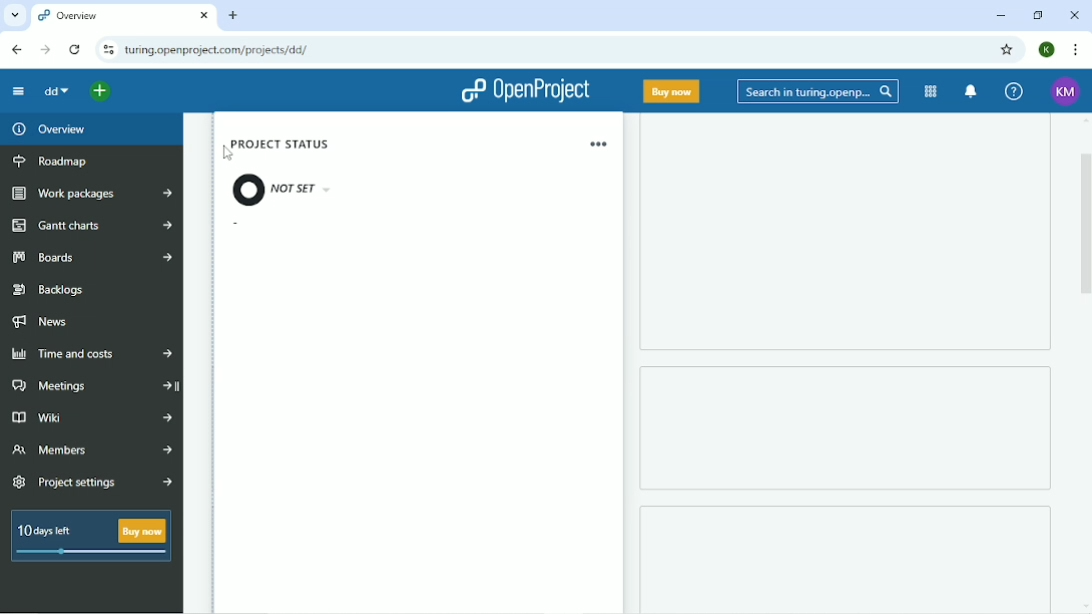 The image size is (1092, 614). What do you see at coordinates (92, 482) in the screenshot?
I see `Project settings` at bounding box center [92, 482].